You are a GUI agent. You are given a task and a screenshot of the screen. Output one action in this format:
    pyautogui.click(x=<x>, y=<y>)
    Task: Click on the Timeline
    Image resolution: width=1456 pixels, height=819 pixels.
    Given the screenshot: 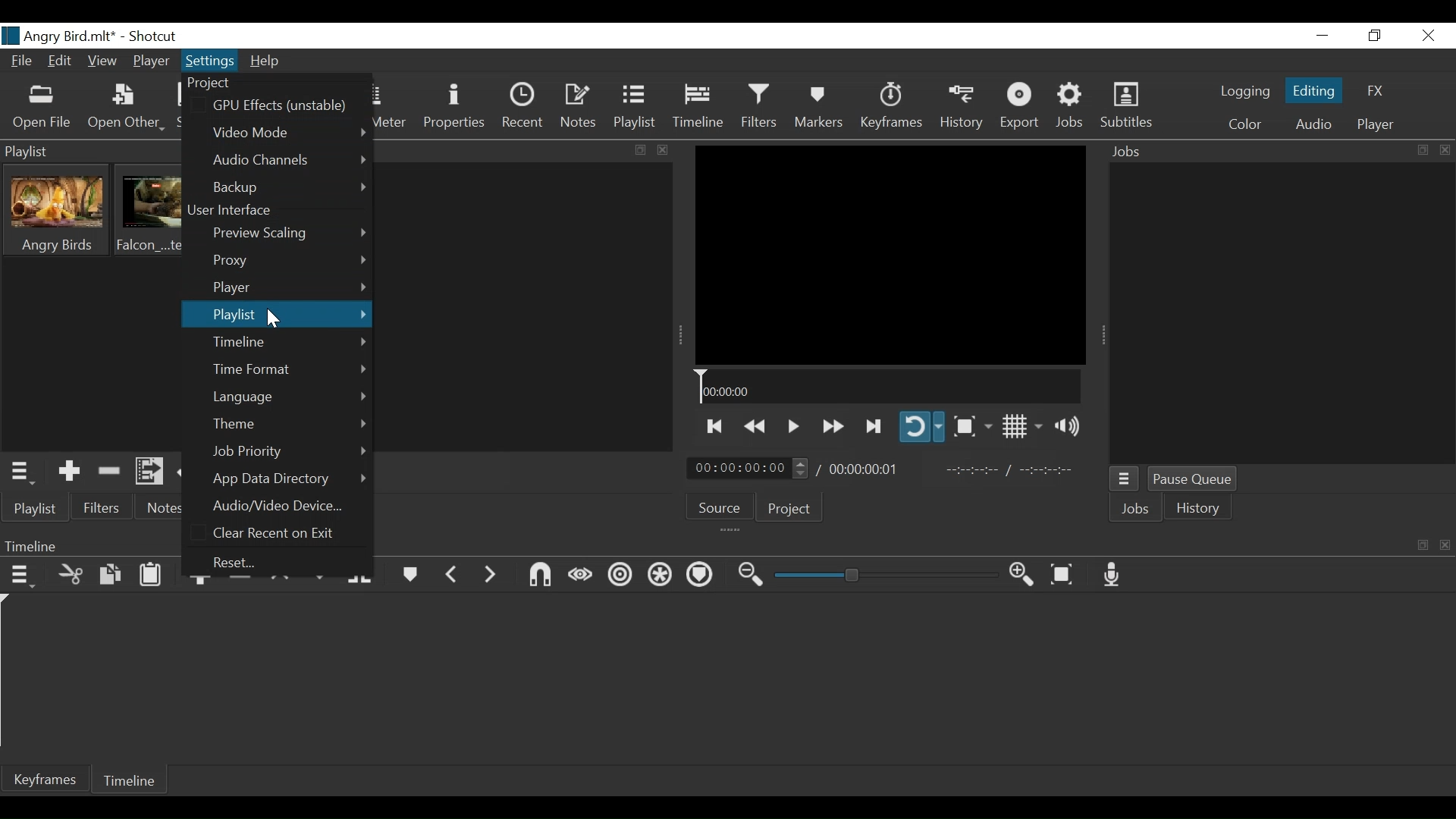 What is the action you would take?
    pyautogui.click(x=698, y=108)
    